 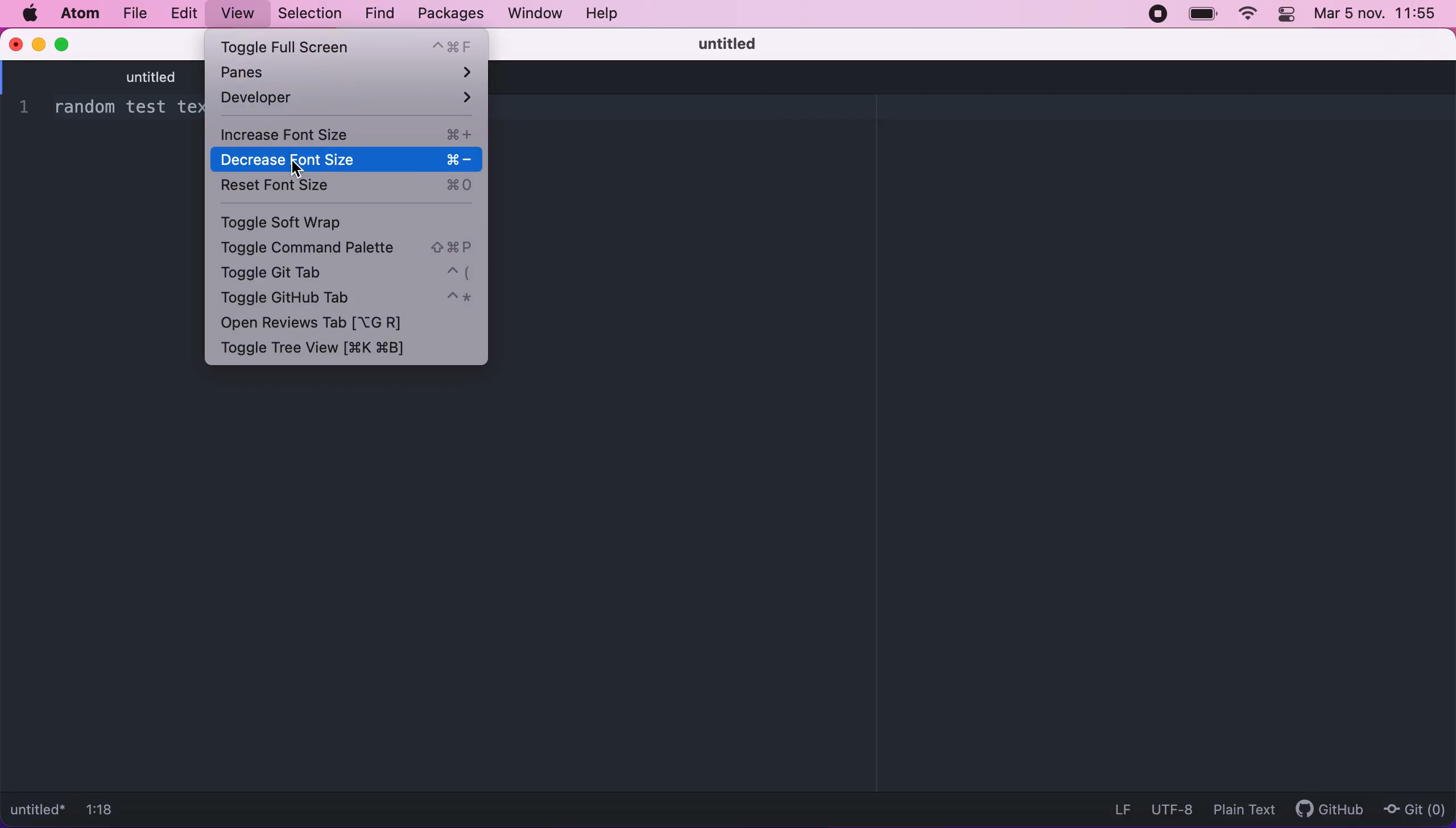 I want to click on Git (0), so click(x=1413, y=810).